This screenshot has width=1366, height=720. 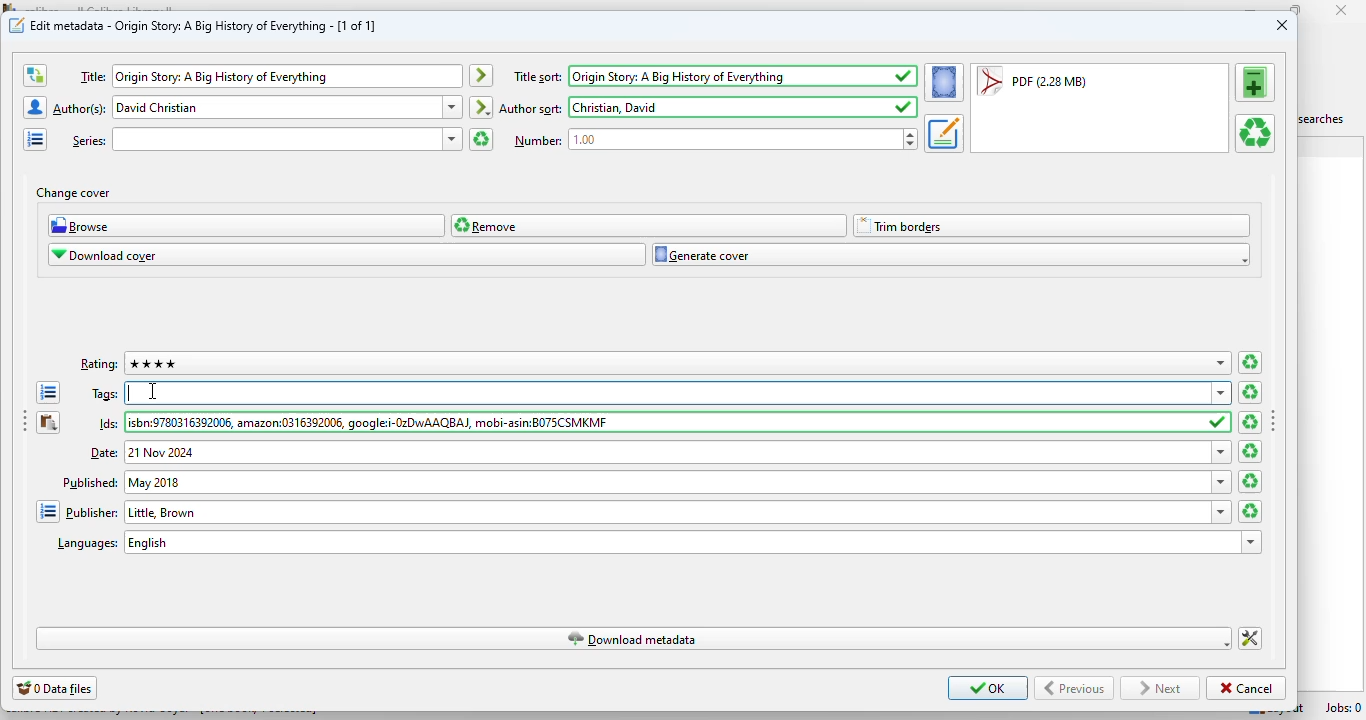 I want to click on change how calibre downloads metadata, so click(x=1250, y=639).